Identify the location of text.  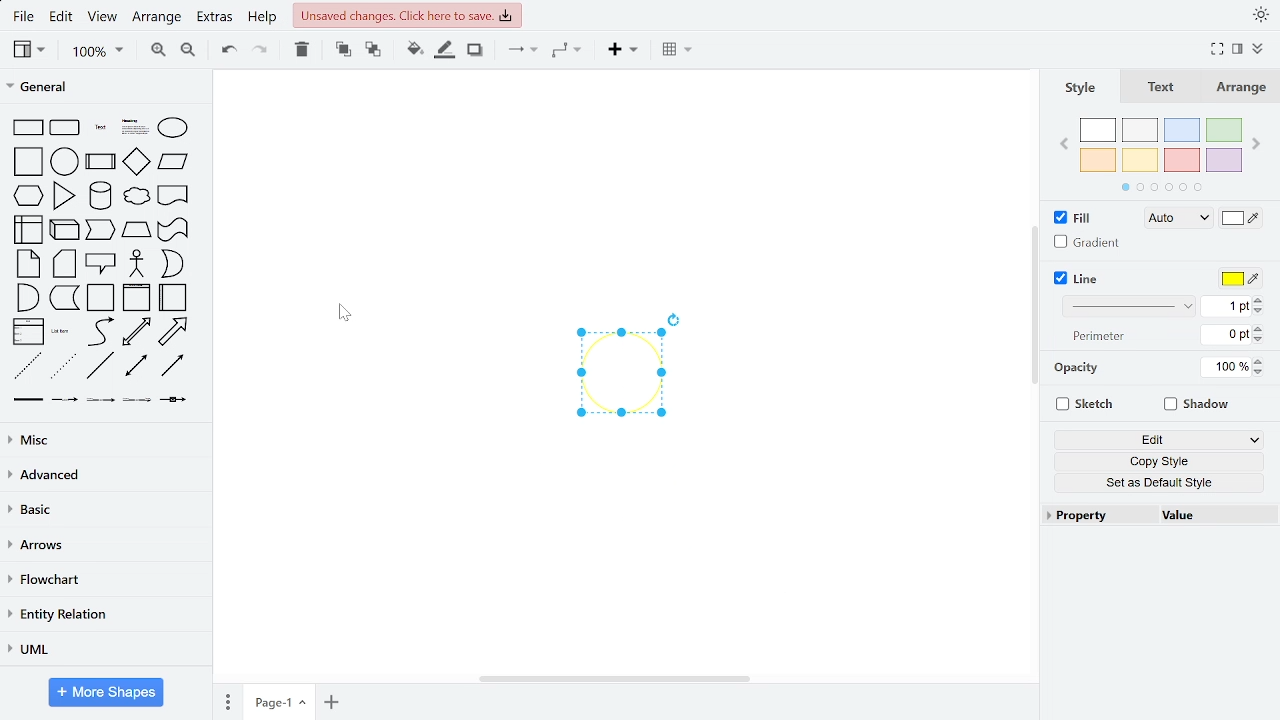
(101, 128).